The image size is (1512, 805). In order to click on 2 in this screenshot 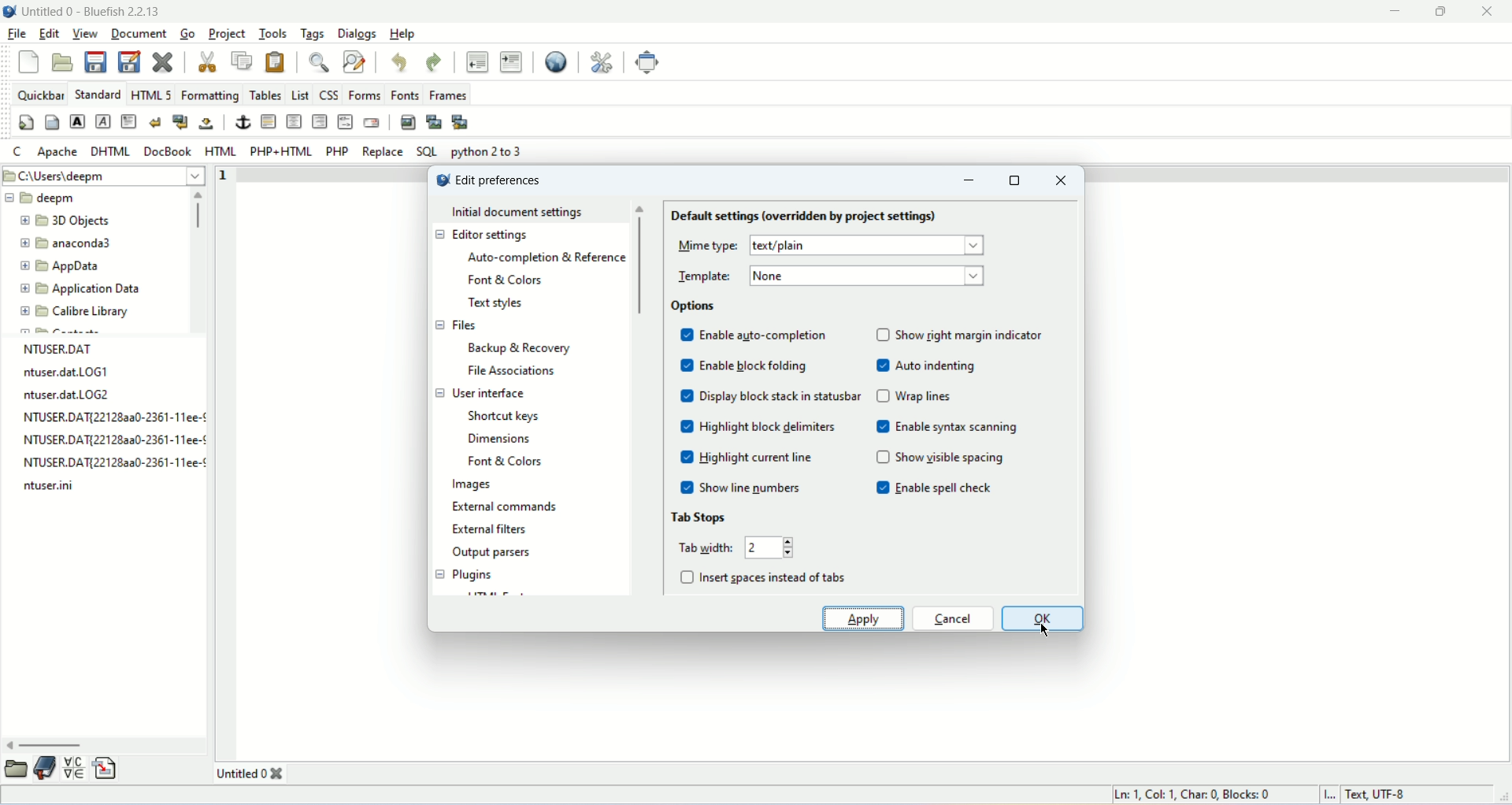, I will do `click(768, 548)`.